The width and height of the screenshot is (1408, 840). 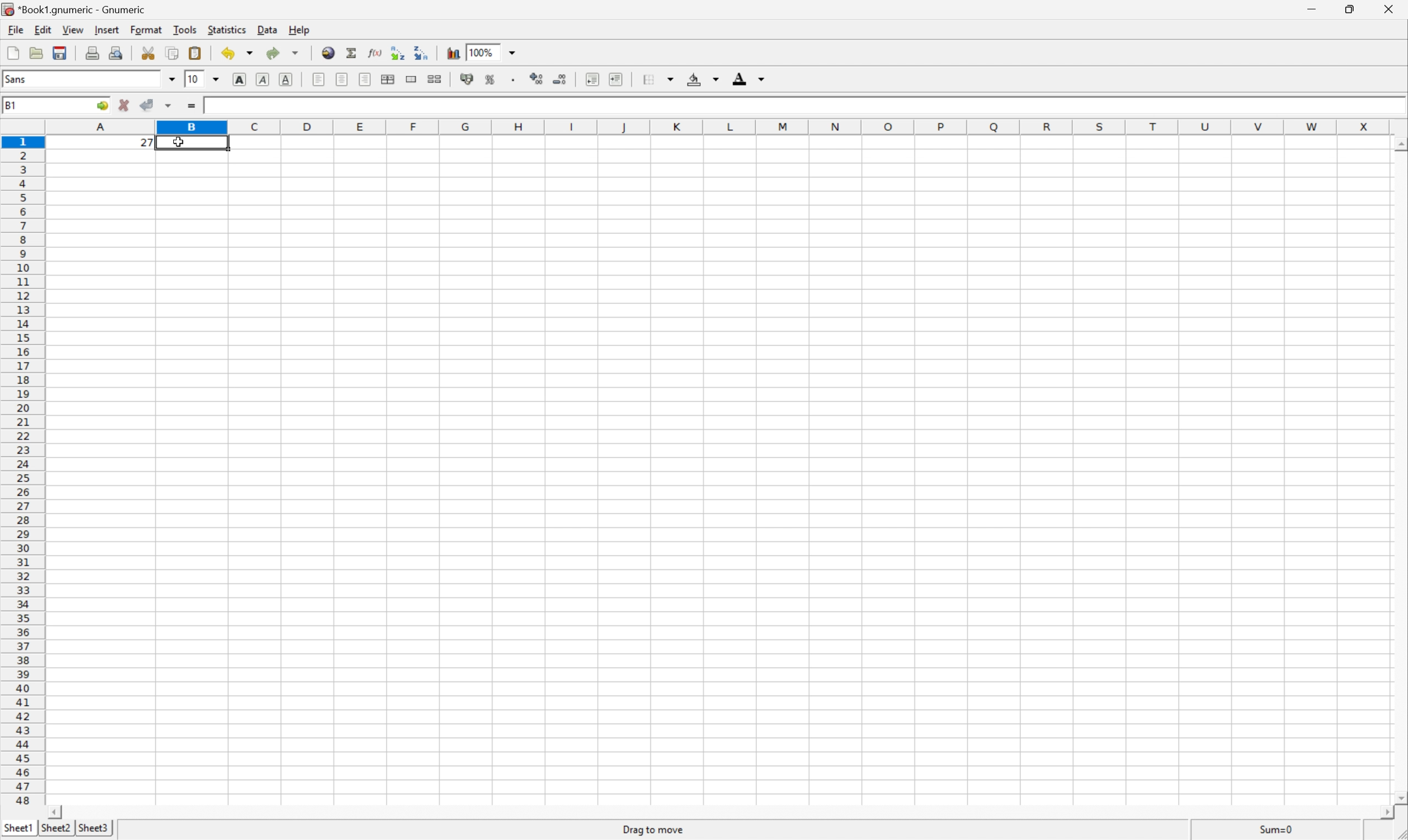 What do you see at coordinates (126, 104) in the screenshot?
I see `Cancel changes` at bounding box center [126, 104].